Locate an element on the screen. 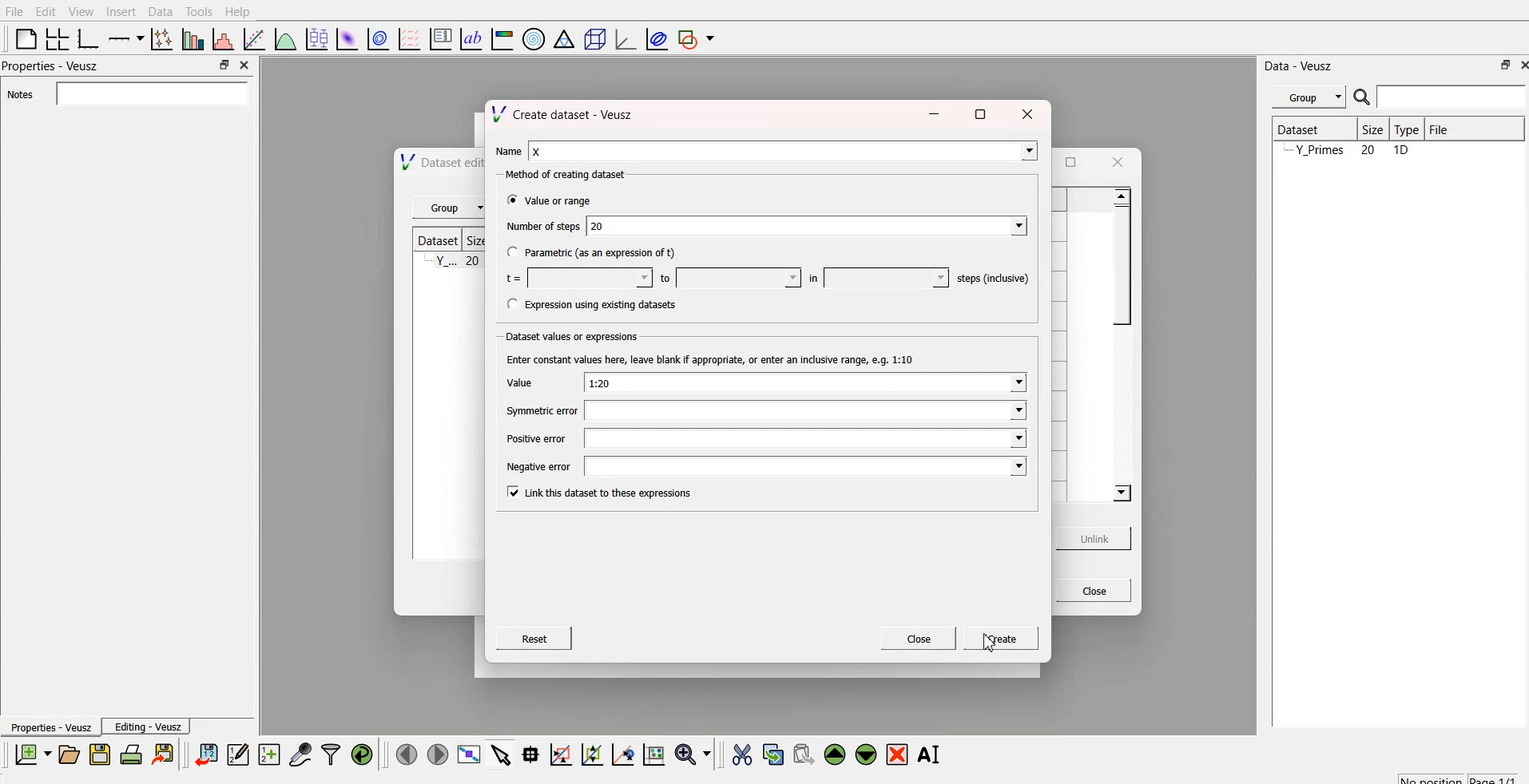 This screenshot has height=784, width=1529. Notes is located at coordinates (18, 95).